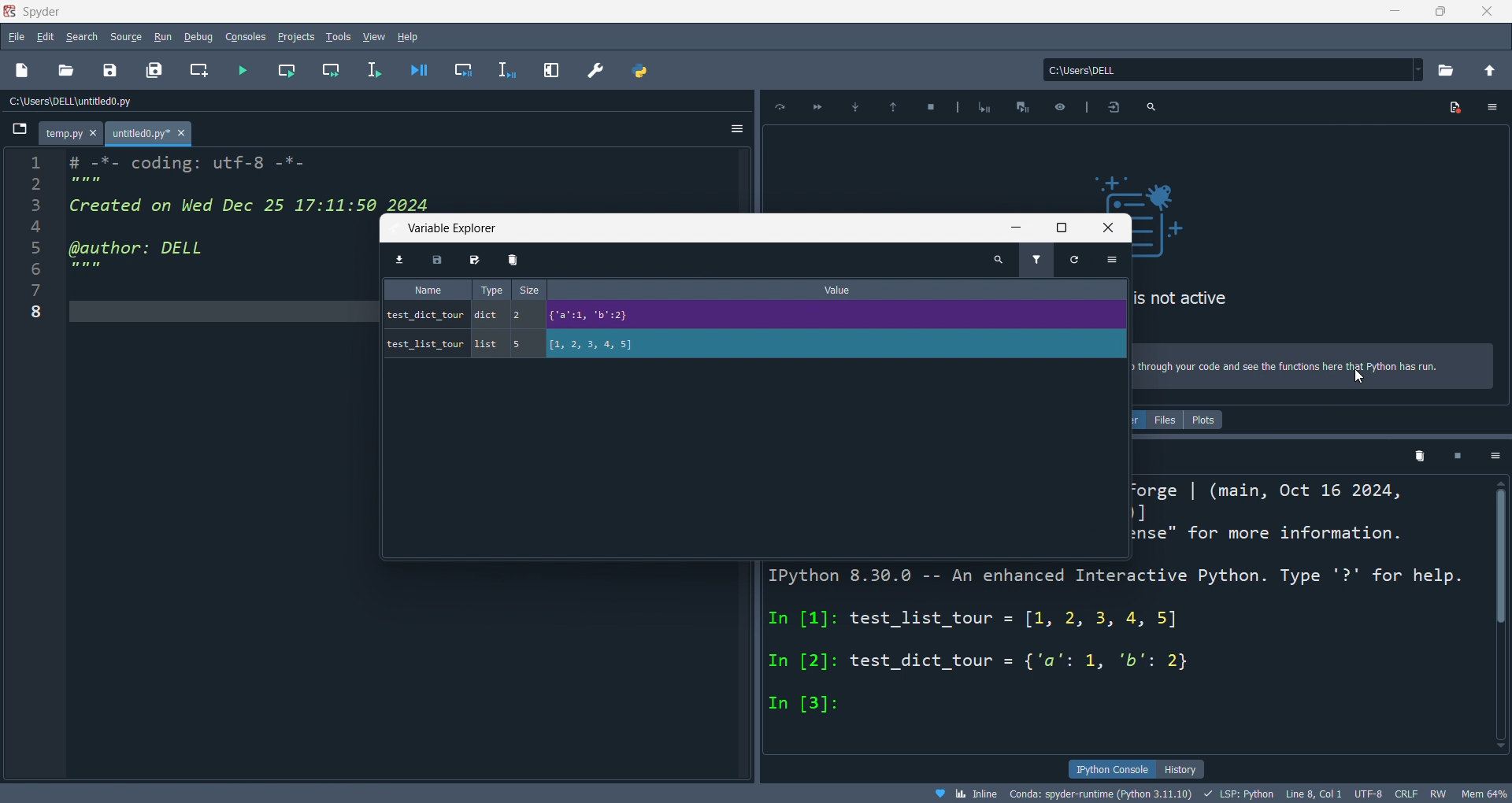  I want to click on run cell and move, so click(331, 71).